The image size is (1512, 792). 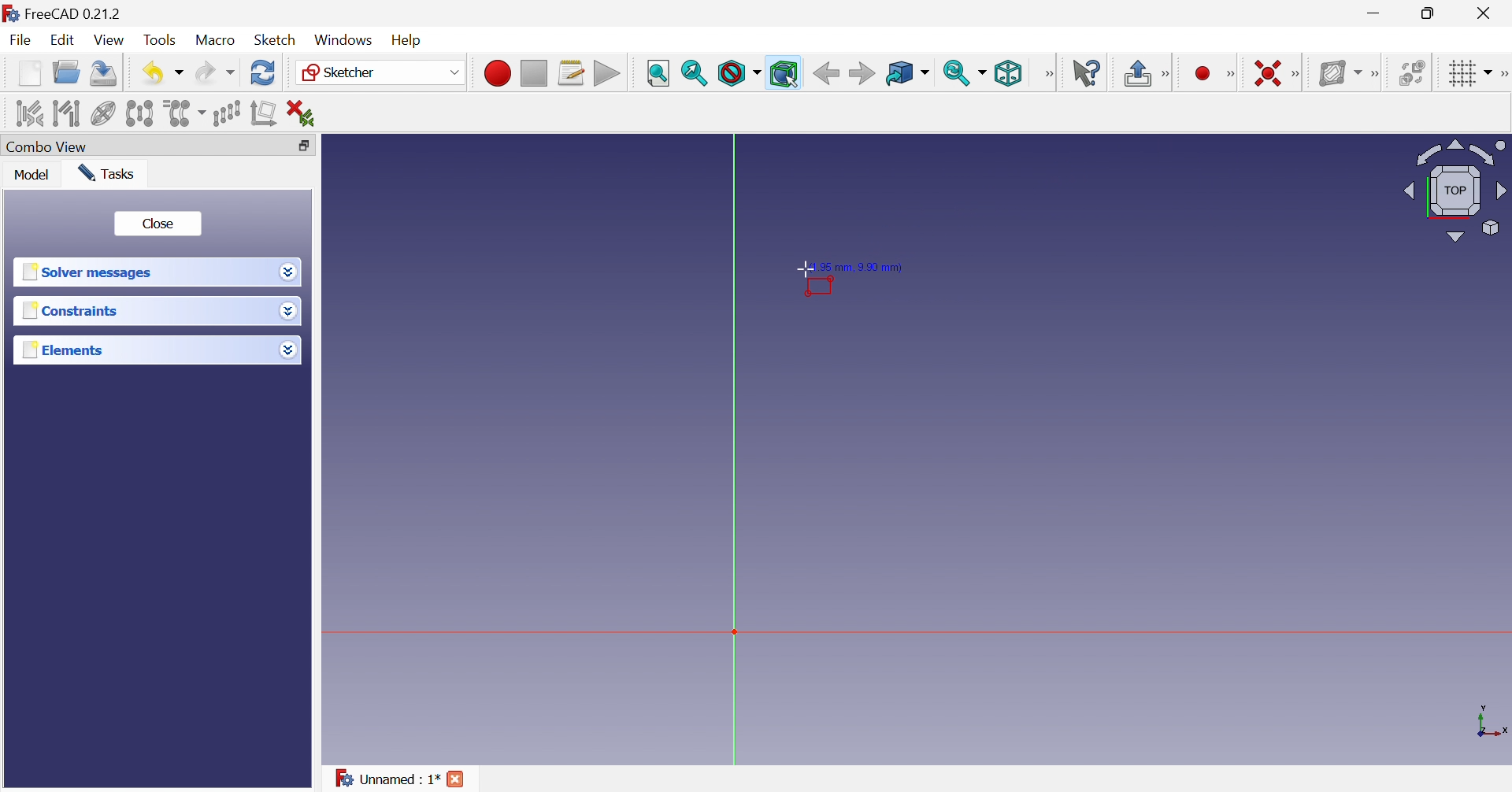 What do you see at coordinates (343, 41) in the screenshot?
I see `Windows` at bounding box center [343, 41].